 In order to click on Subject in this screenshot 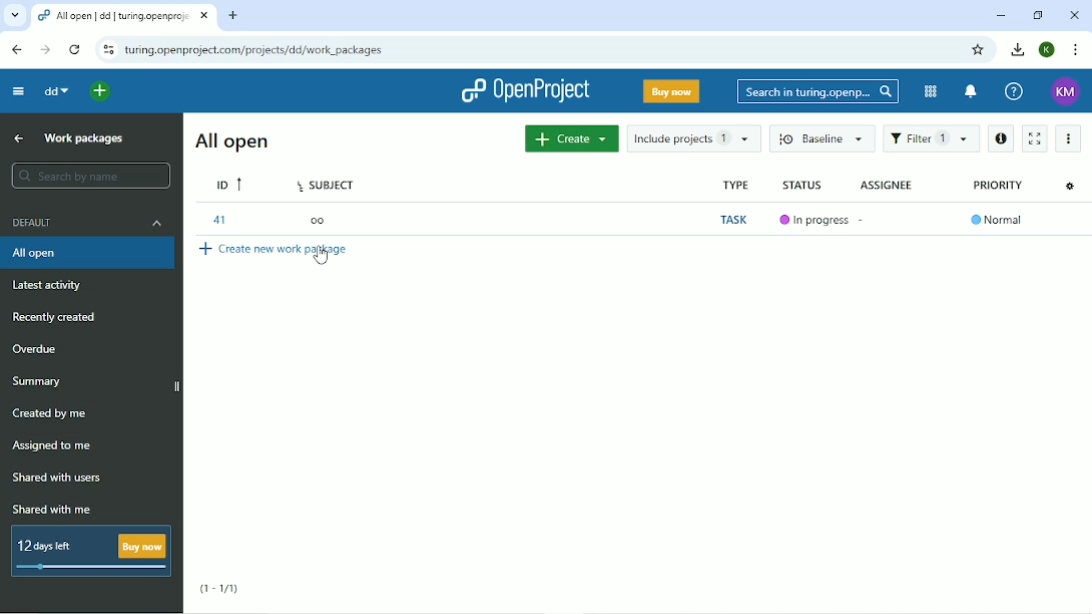, I will do `click(326, 186)`.